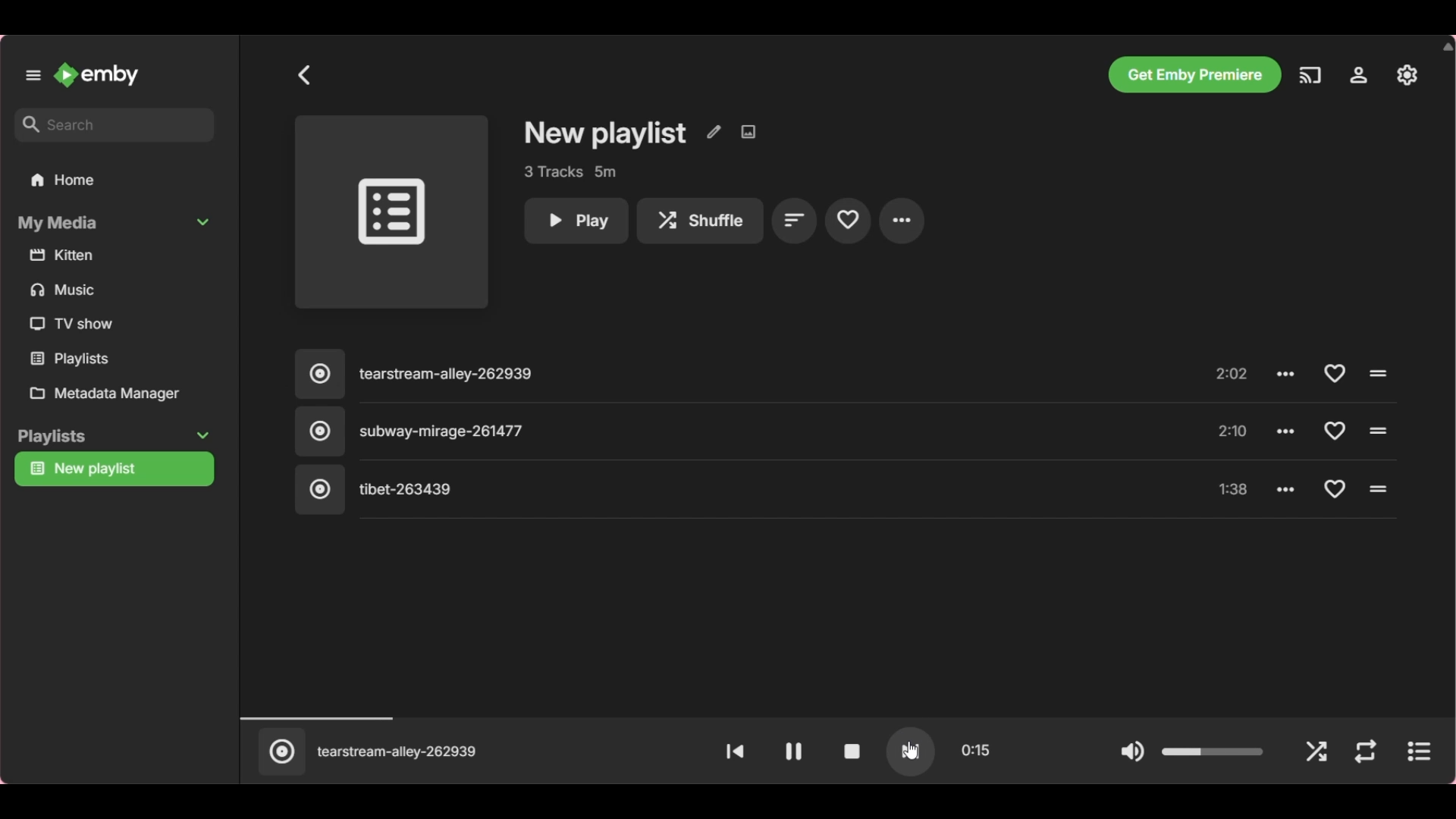 This screenshot has height=819, width=1456. I want to click on More settings, so click(902, 221).